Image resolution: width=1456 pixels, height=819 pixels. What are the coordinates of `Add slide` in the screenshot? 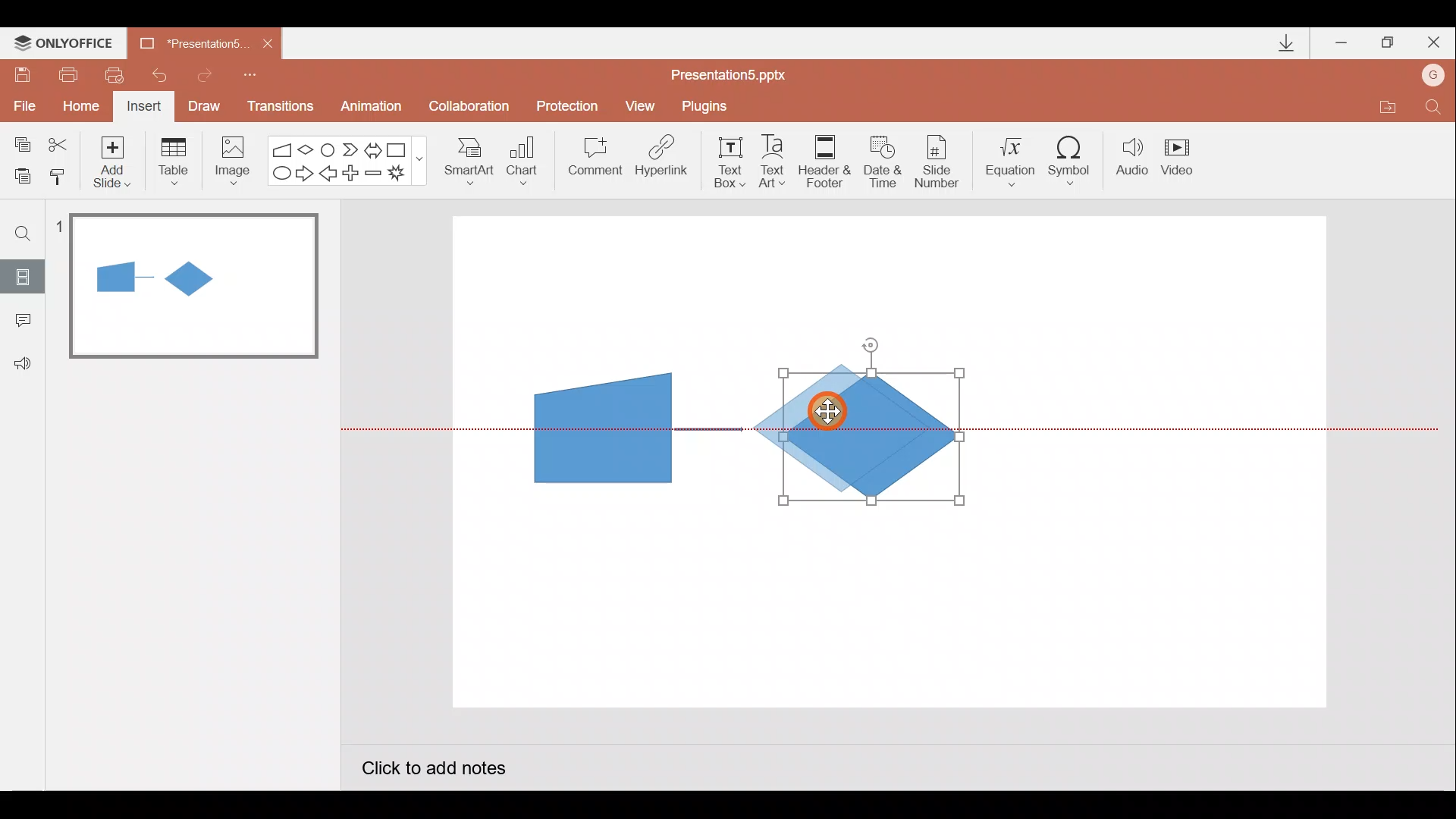 It's located at (115, 158).